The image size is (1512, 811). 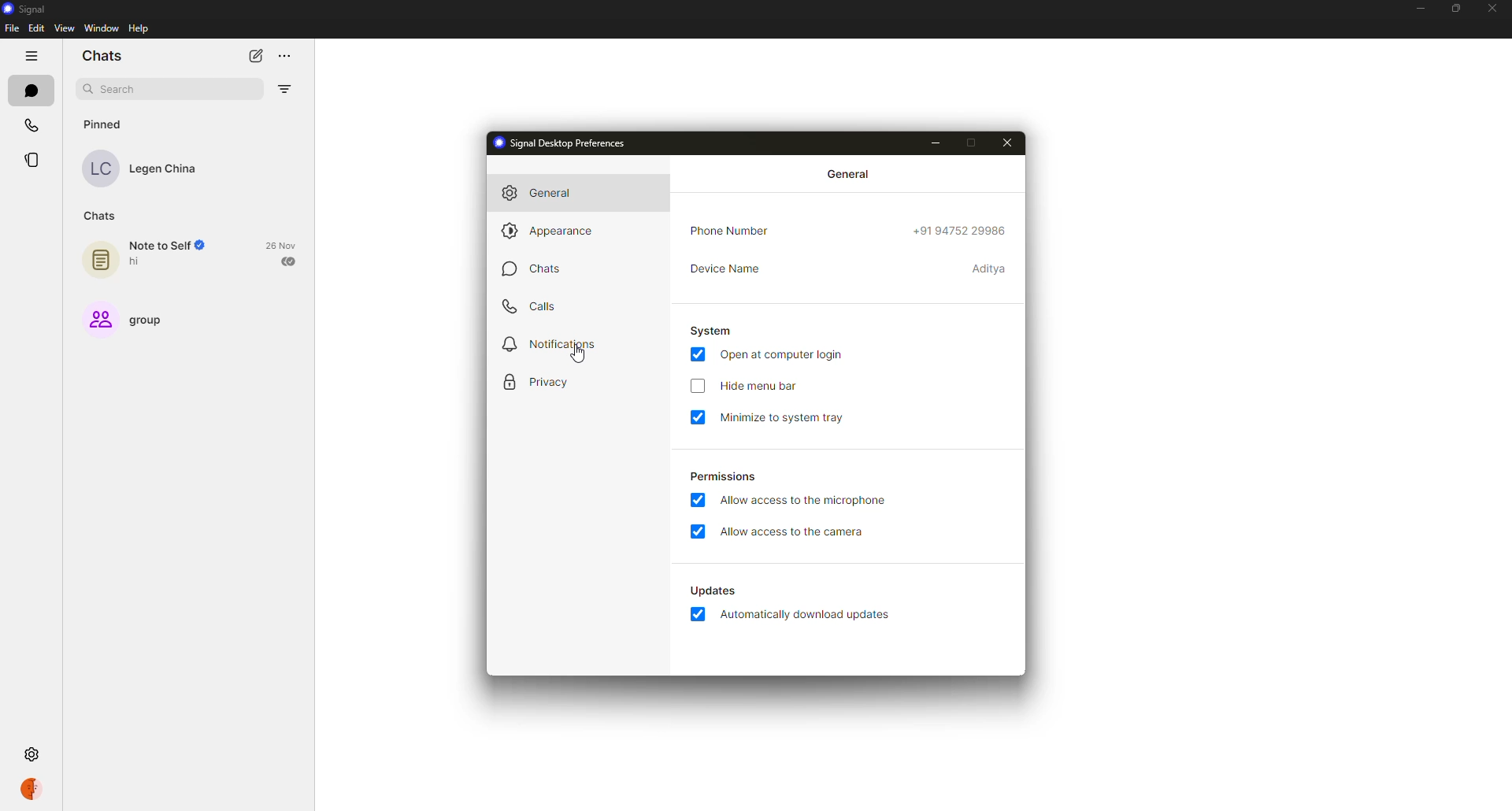 What do you see at coordinates (102, 216) in the screenshot?
I see `chats` at bounding box center [102, 216].